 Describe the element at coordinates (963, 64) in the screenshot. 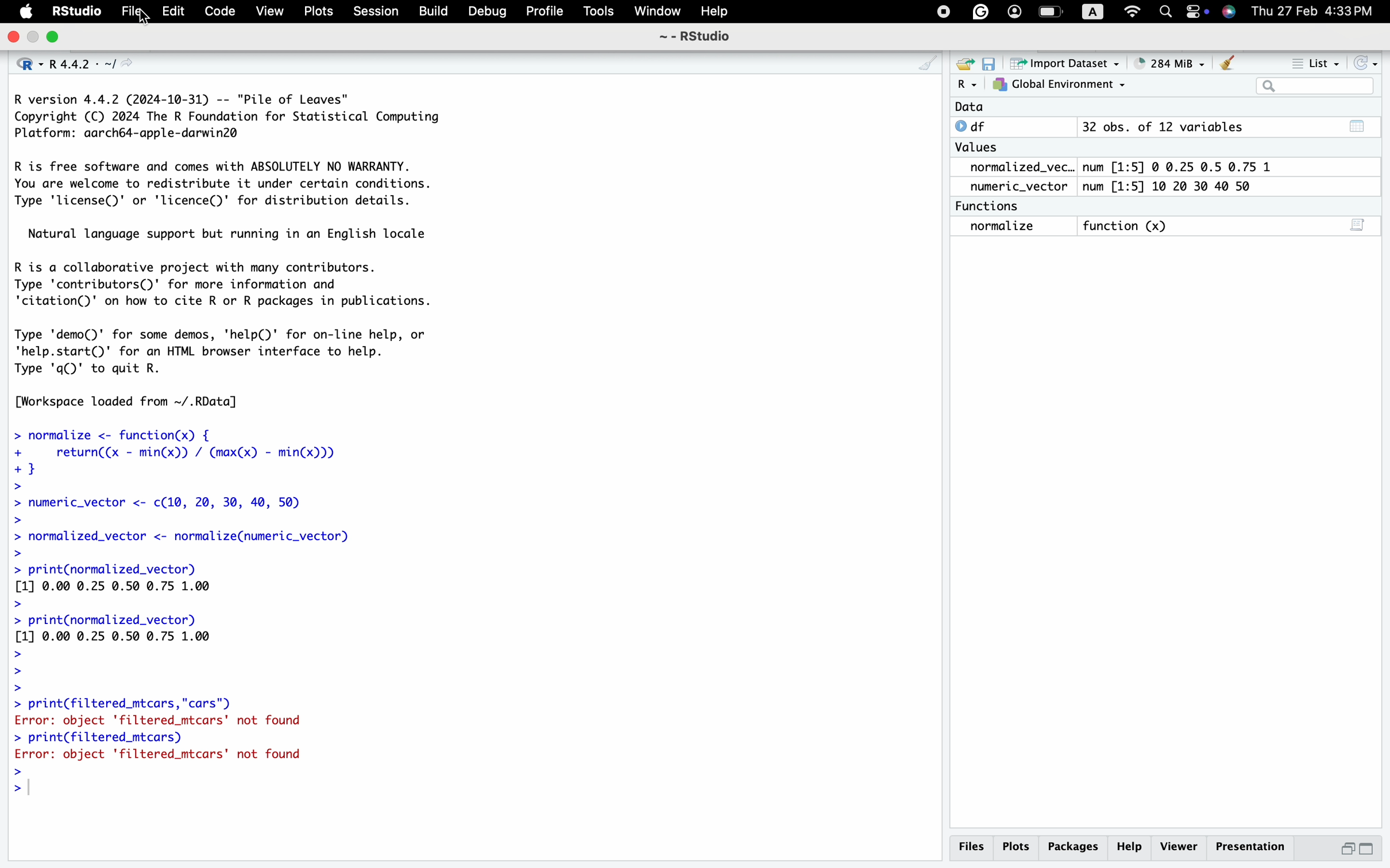

I see `SHARE` at that location.